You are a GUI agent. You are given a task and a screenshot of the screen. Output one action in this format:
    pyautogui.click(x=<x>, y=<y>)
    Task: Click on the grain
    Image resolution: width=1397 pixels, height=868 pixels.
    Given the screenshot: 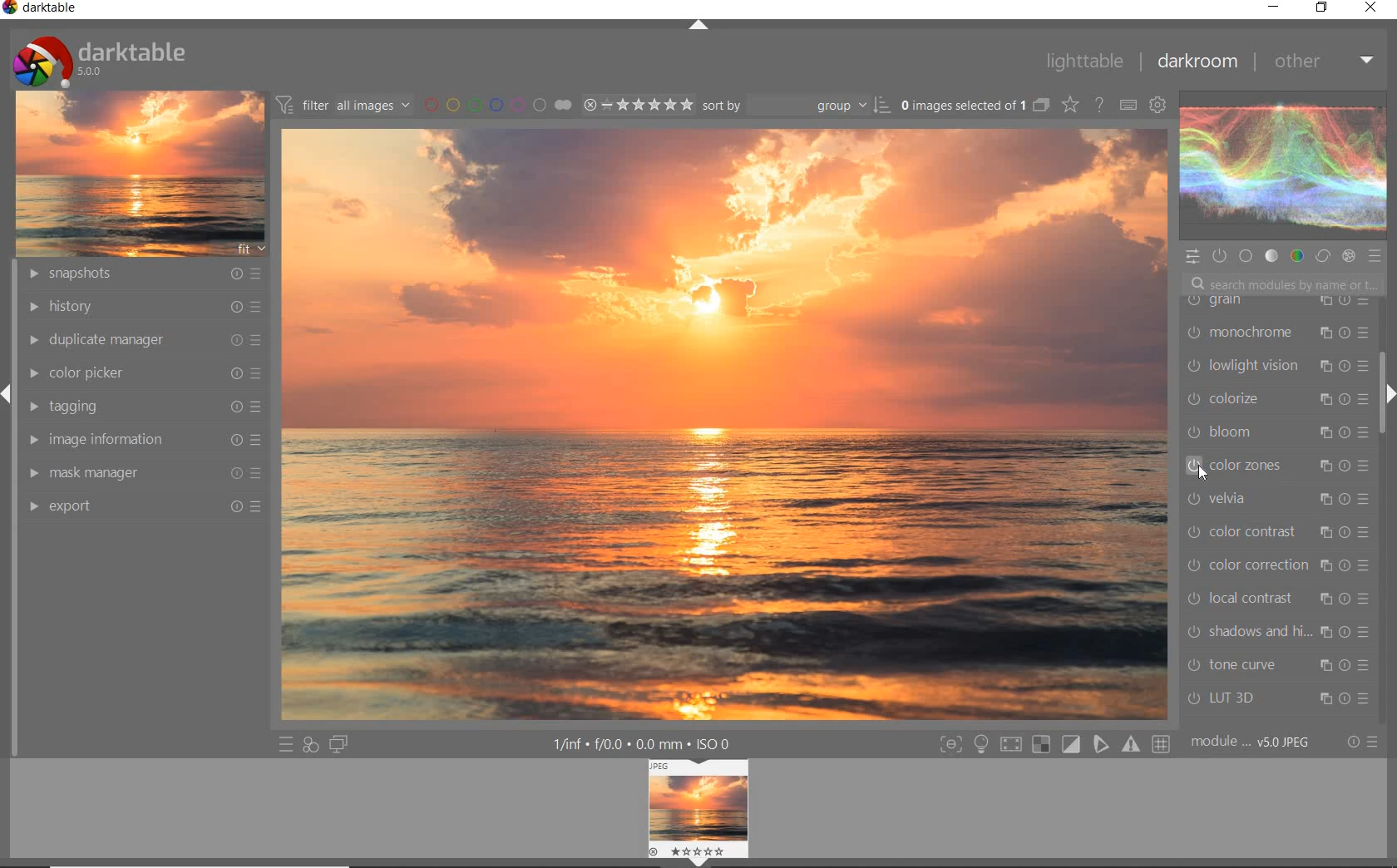 What is the action you would take?
    pyautogui.click(x=1274, y=306)
    